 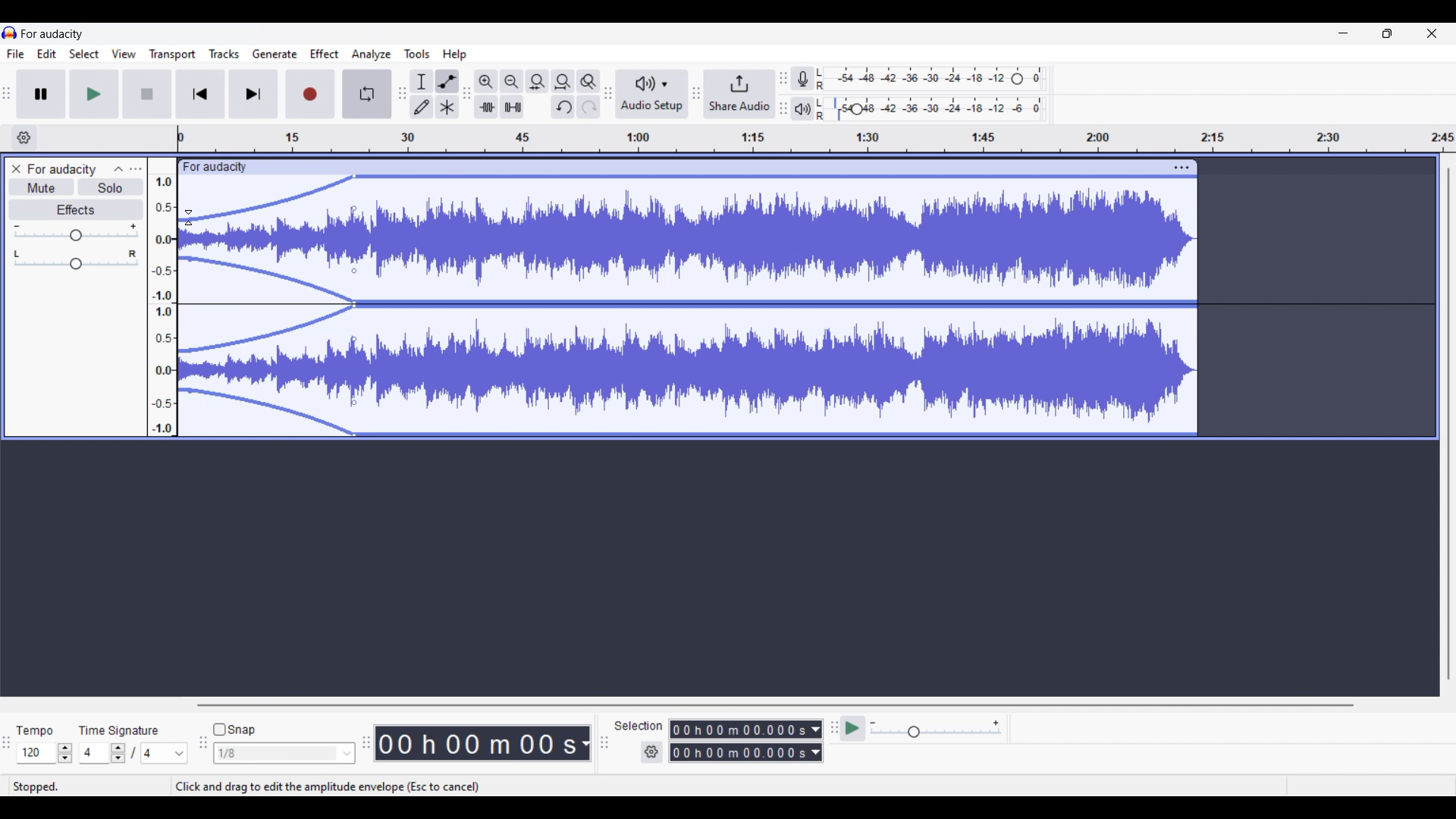 What do you see at coordinates (75, 260) in the screenshot?
I see `Pan slider` at bounding box center [75, 260].